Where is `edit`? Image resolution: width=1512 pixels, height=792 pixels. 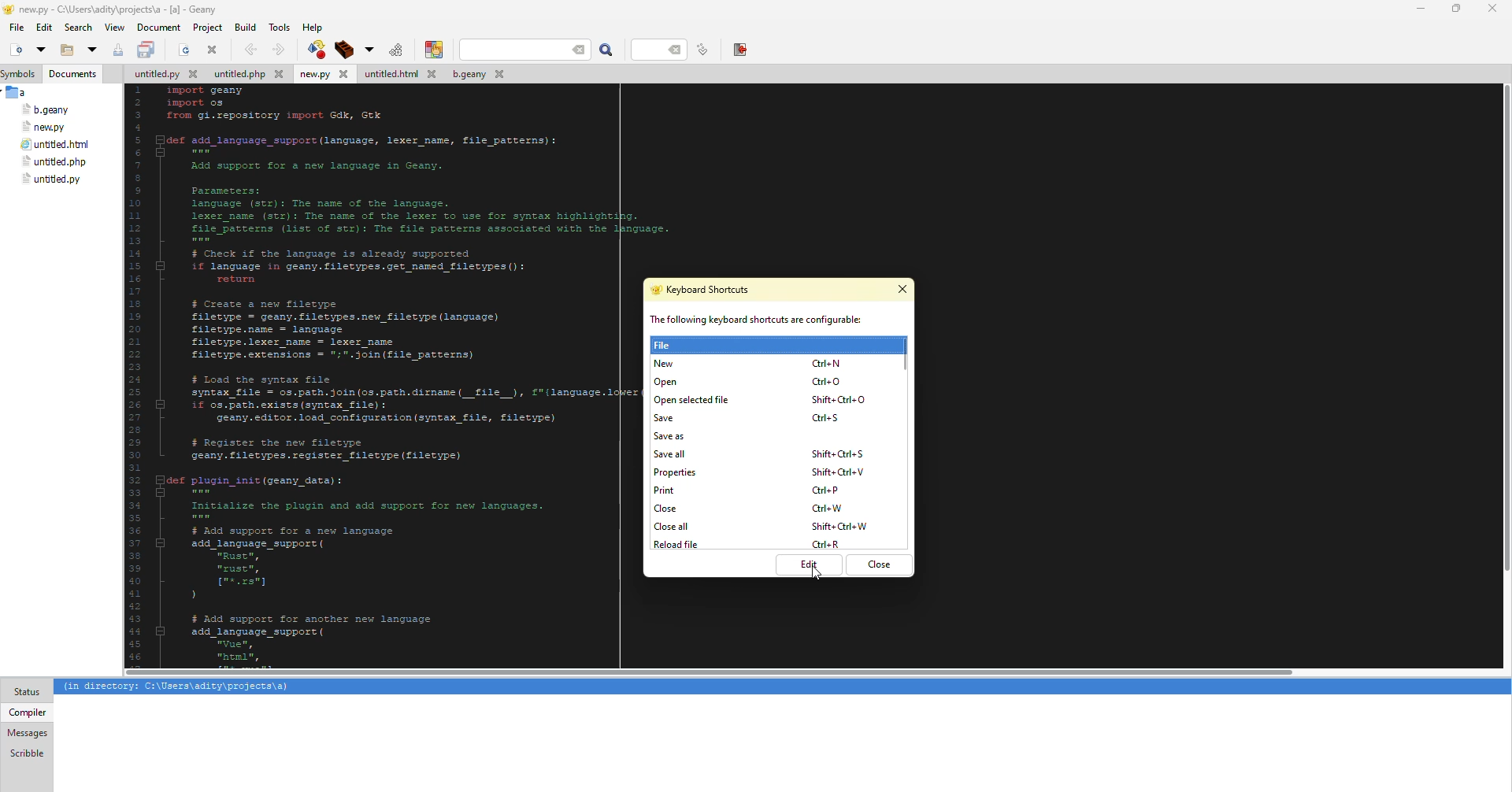 edit is located at coordinates (44, 28).